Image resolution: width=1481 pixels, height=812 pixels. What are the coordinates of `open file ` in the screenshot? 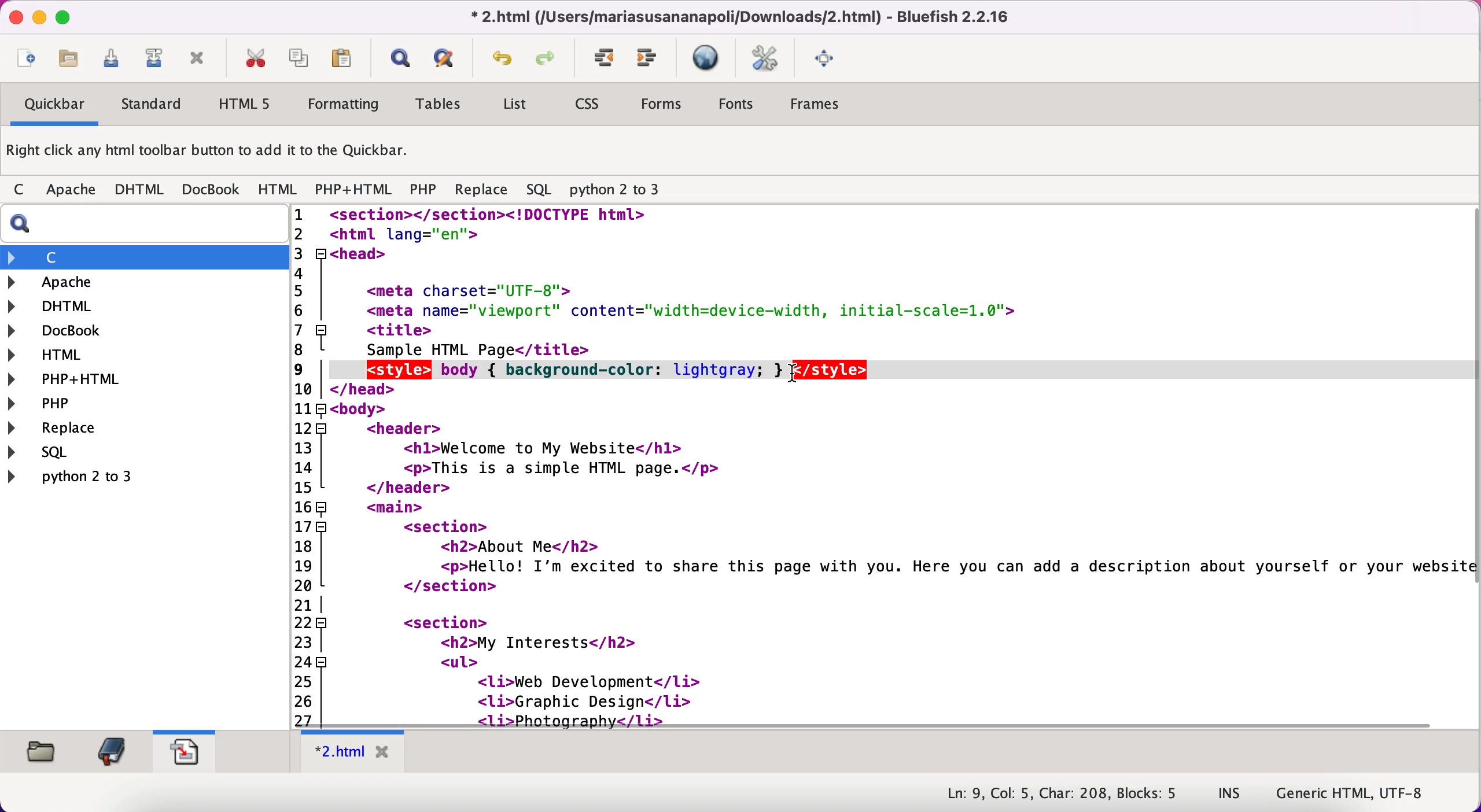 It's located at (74, 62).